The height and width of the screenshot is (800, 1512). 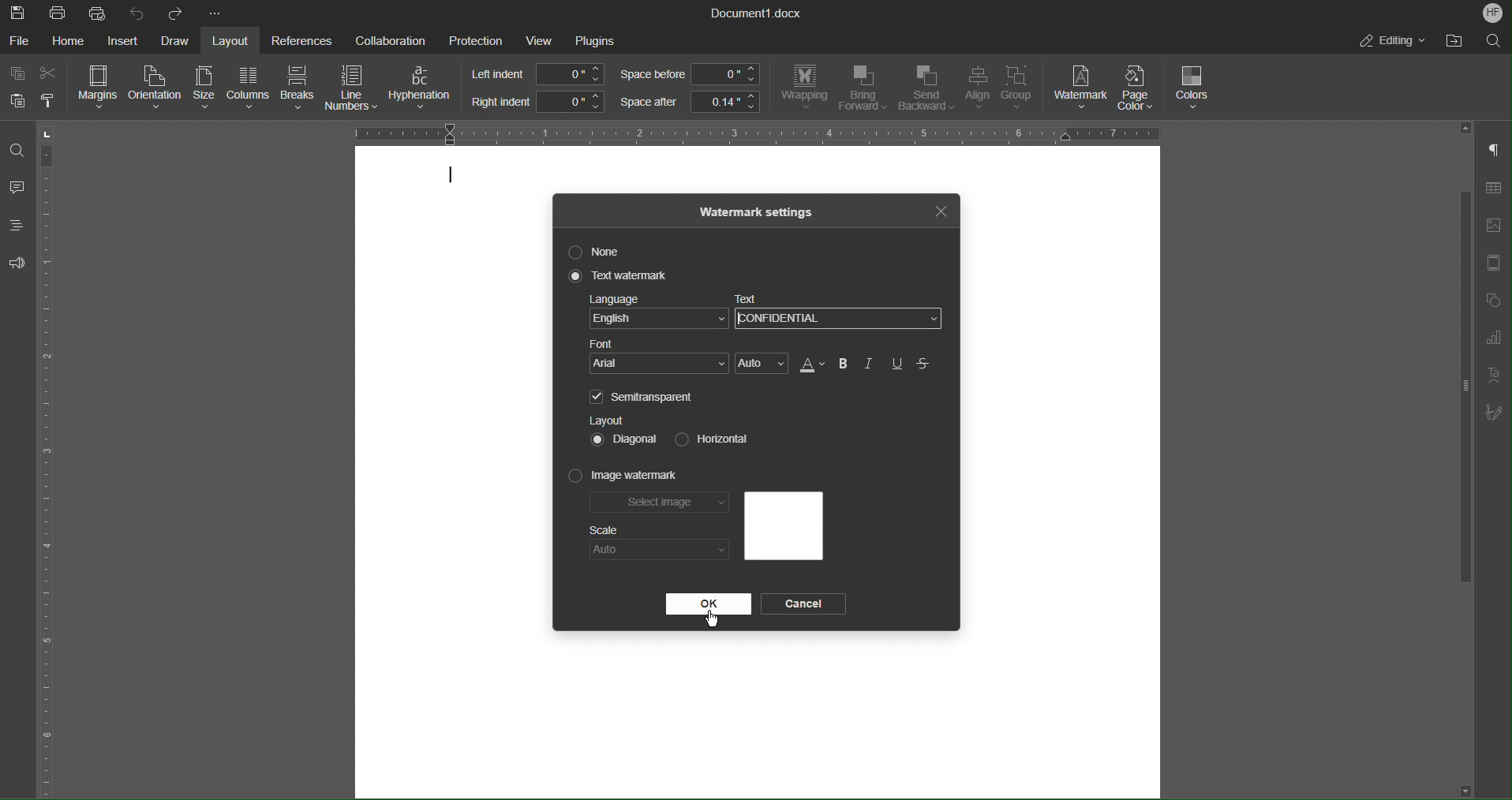 I want to click on Comment, so click(x=17, y=189).